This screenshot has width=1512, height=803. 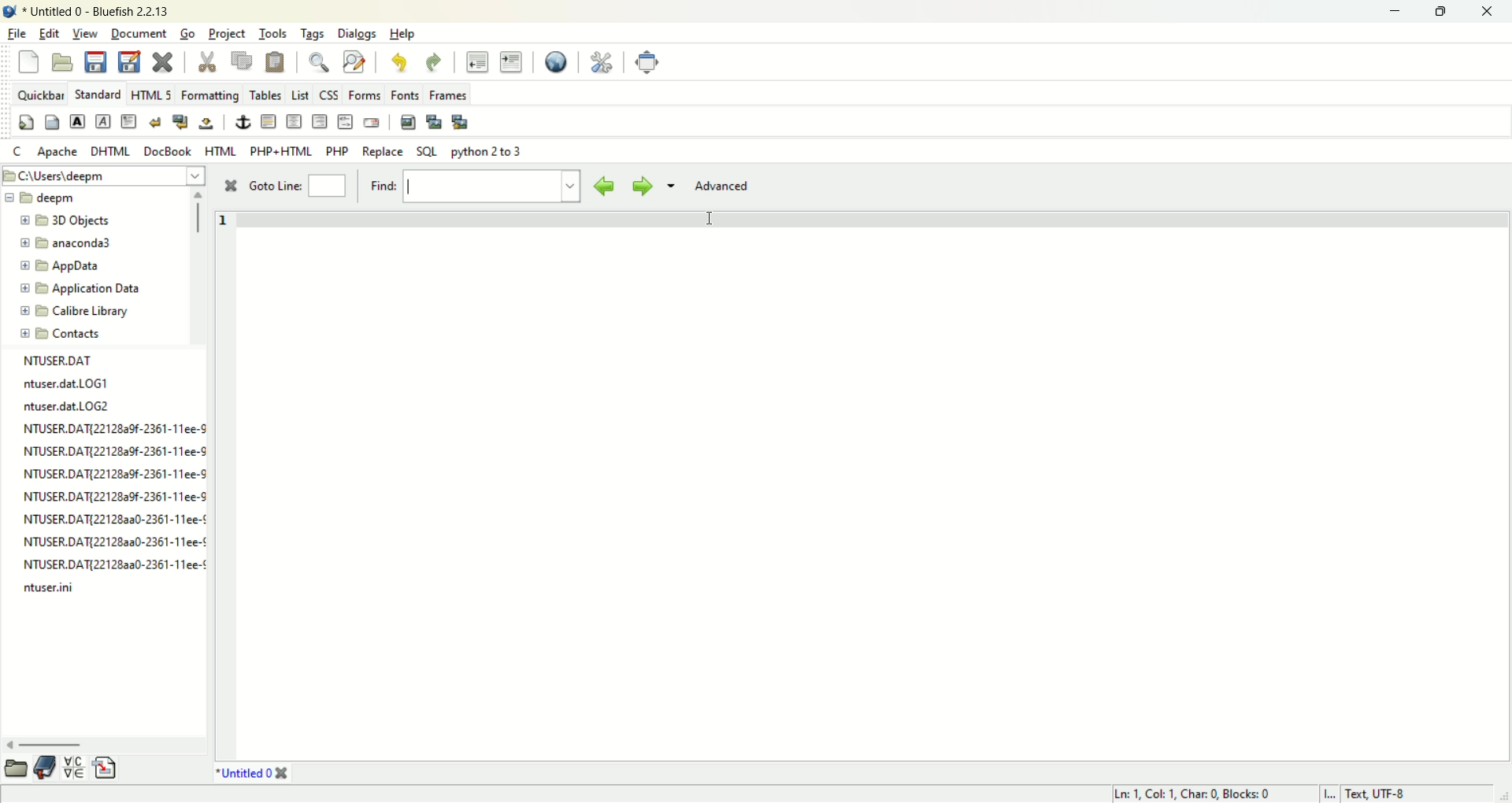 I want to click on project, so click(x=229, y=34).